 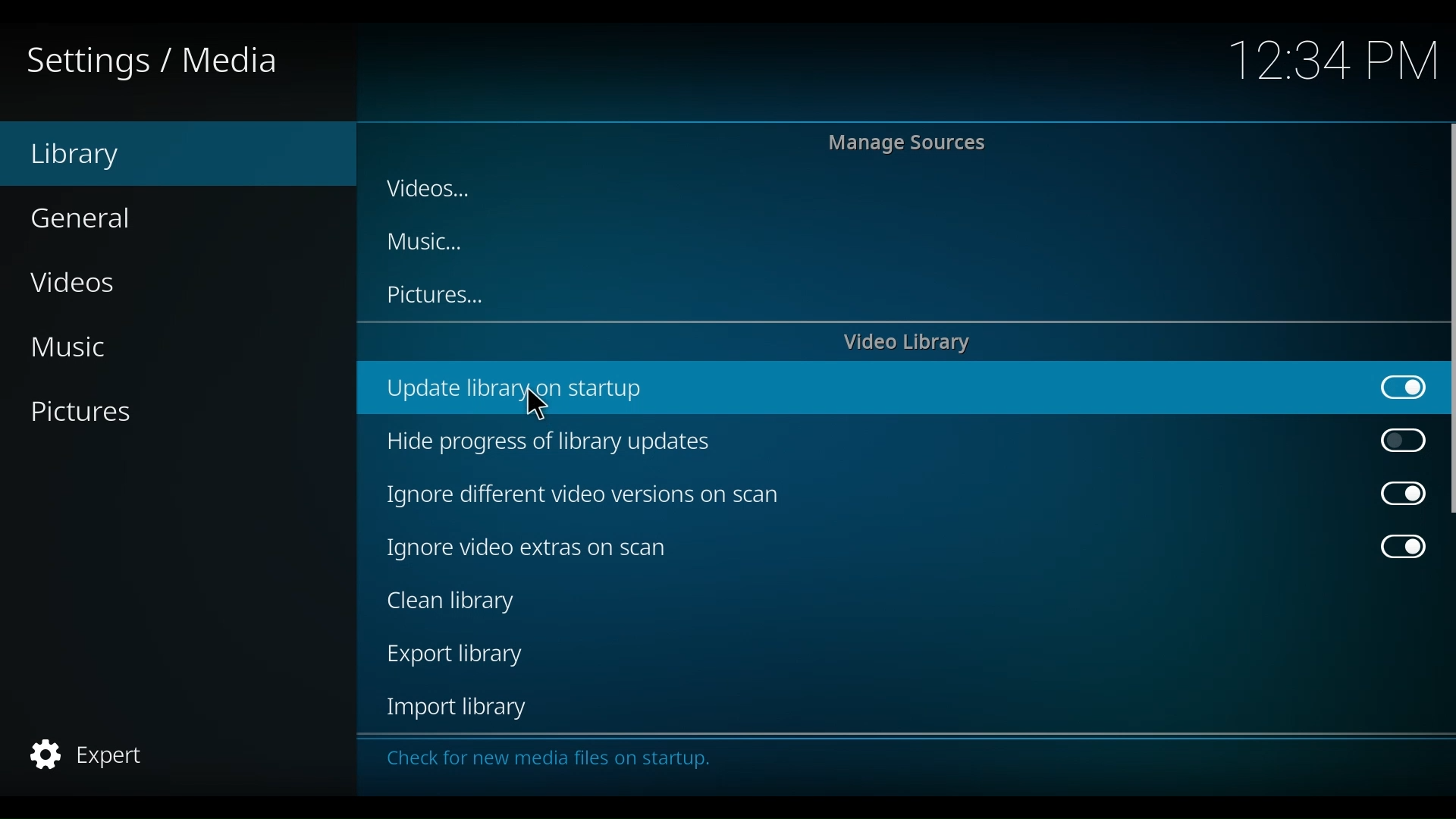 What do you see at coordinates (1392, 387) in the screenshot?
I see `Toggle on/off update library on startup` at bounding box center [1392, 387].